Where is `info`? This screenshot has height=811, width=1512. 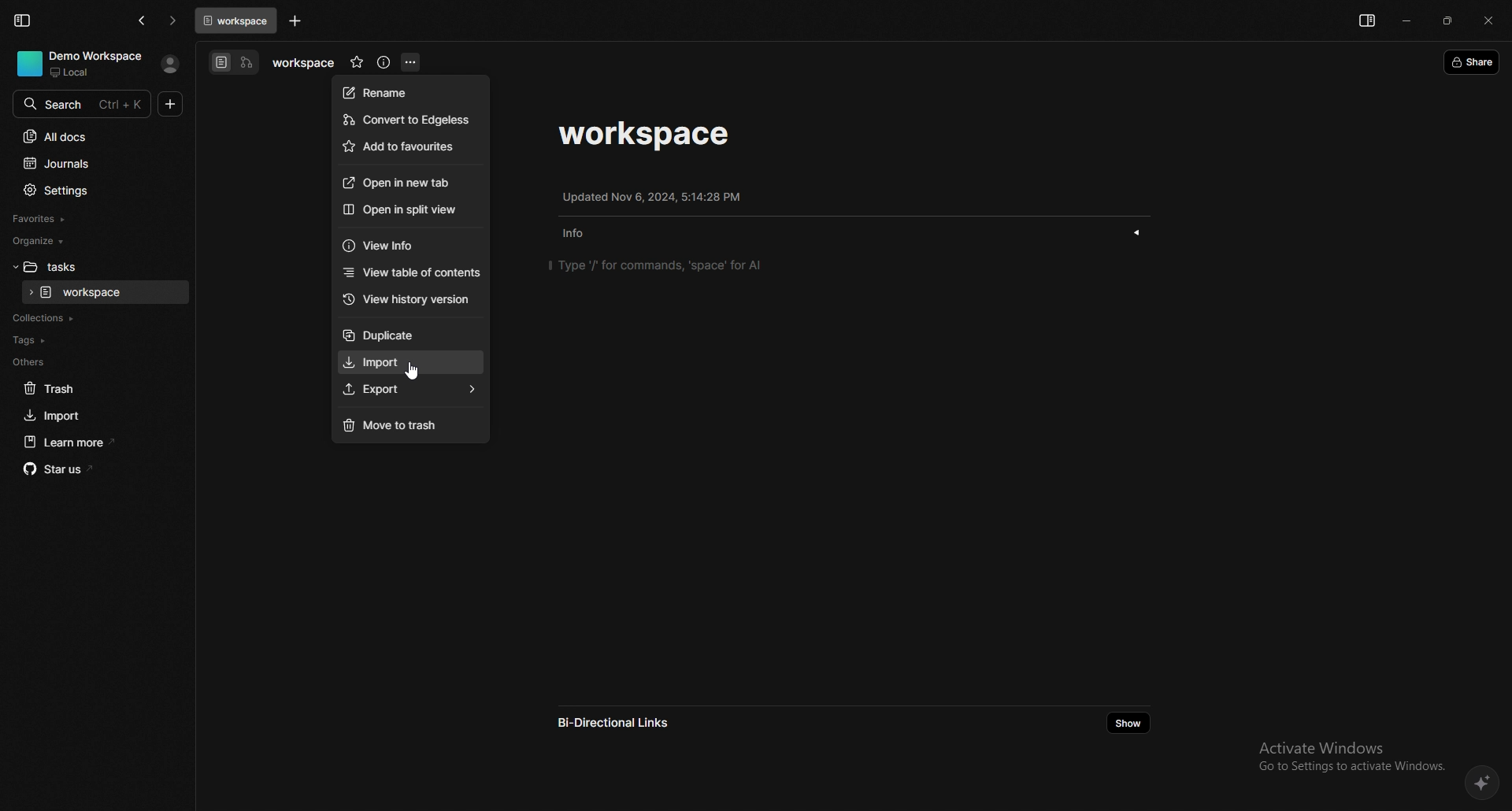 info is located at coordinates (580, 235).